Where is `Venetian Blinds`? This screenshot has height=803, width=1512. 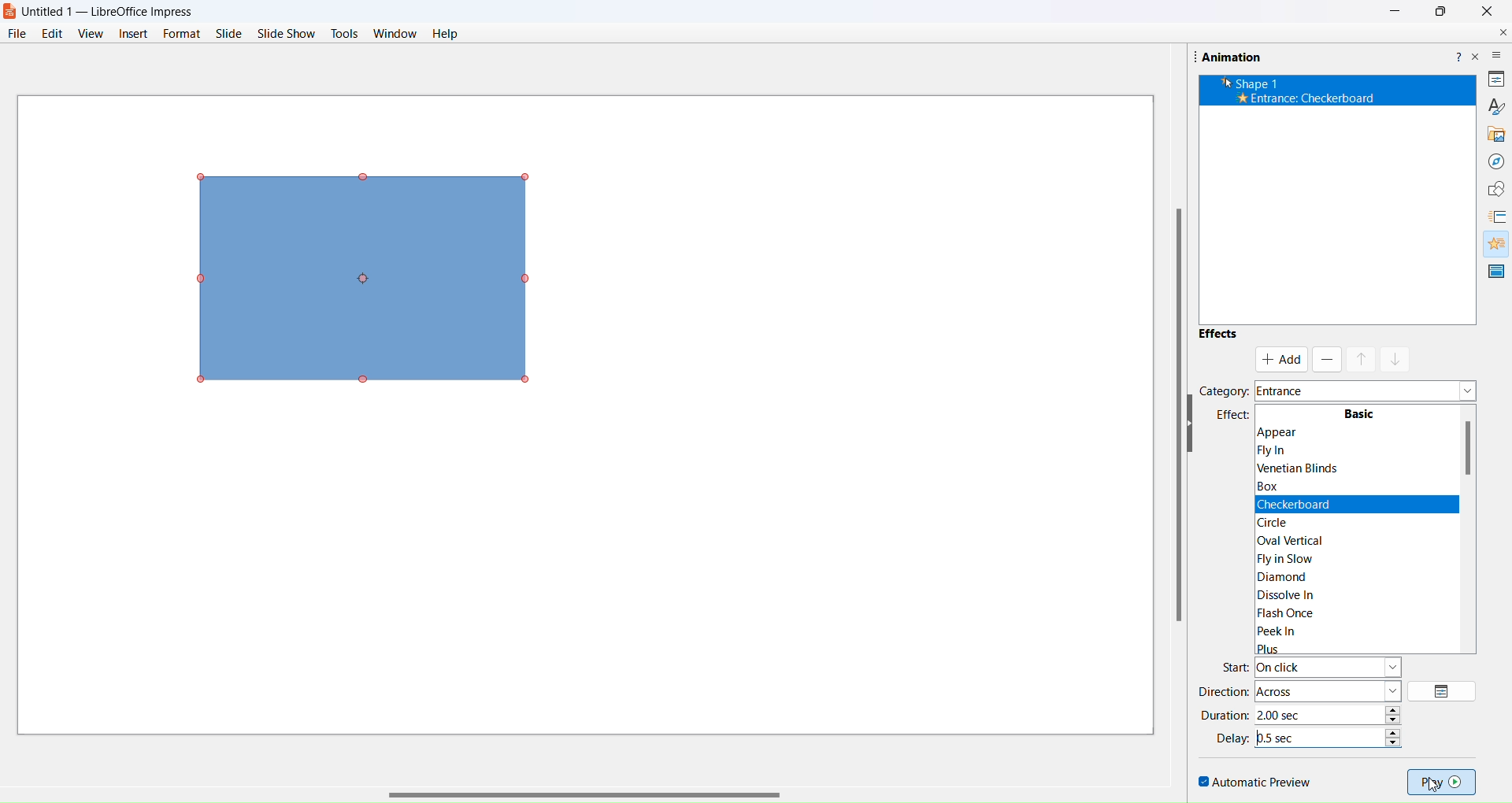
Venetian Blinds is located at coordinates (1303, 468).